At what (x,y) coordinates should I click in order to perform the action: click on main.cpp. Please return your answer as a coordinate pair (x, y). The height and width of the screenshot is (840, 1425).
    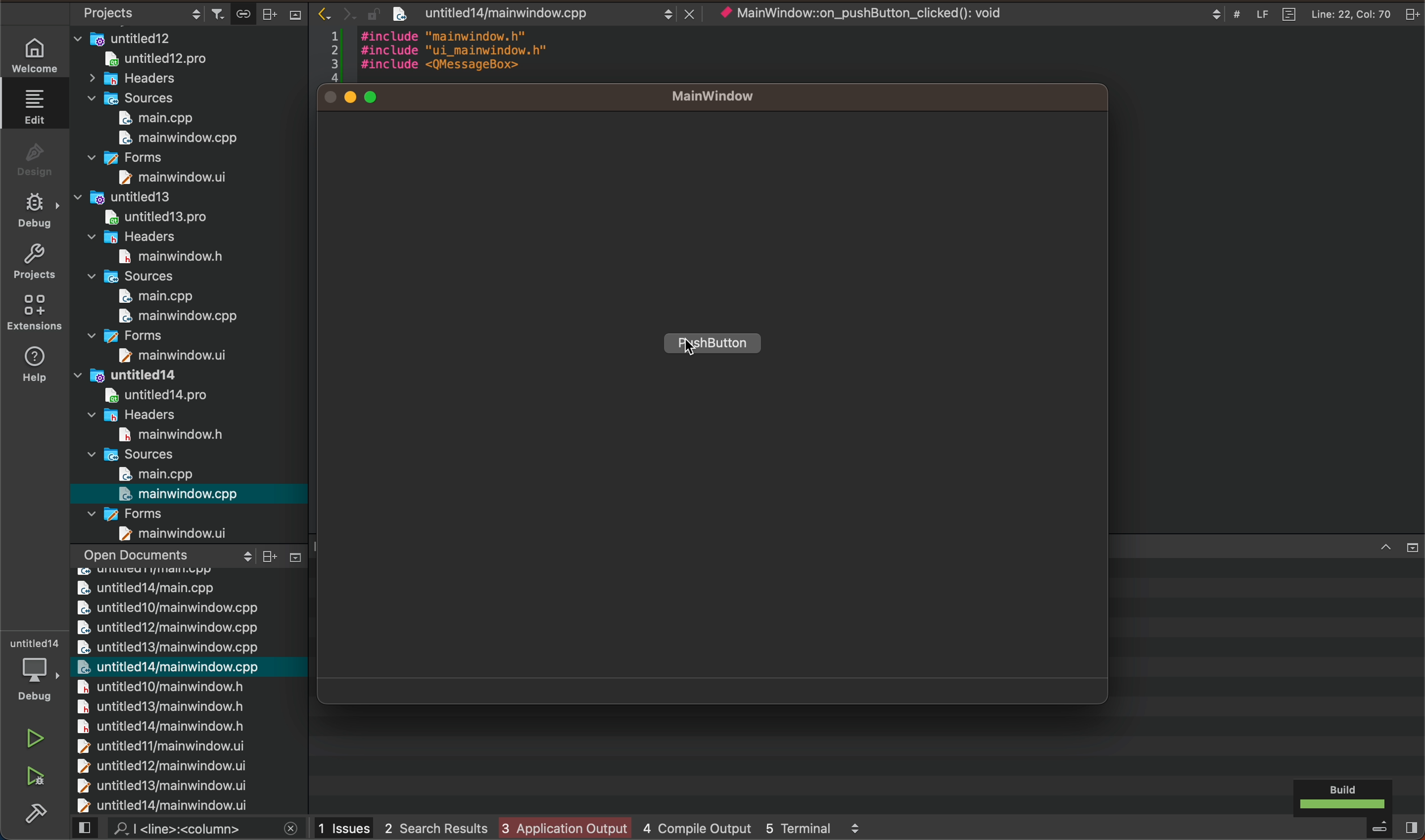
    Looking at the image, I should click on (153, 118).